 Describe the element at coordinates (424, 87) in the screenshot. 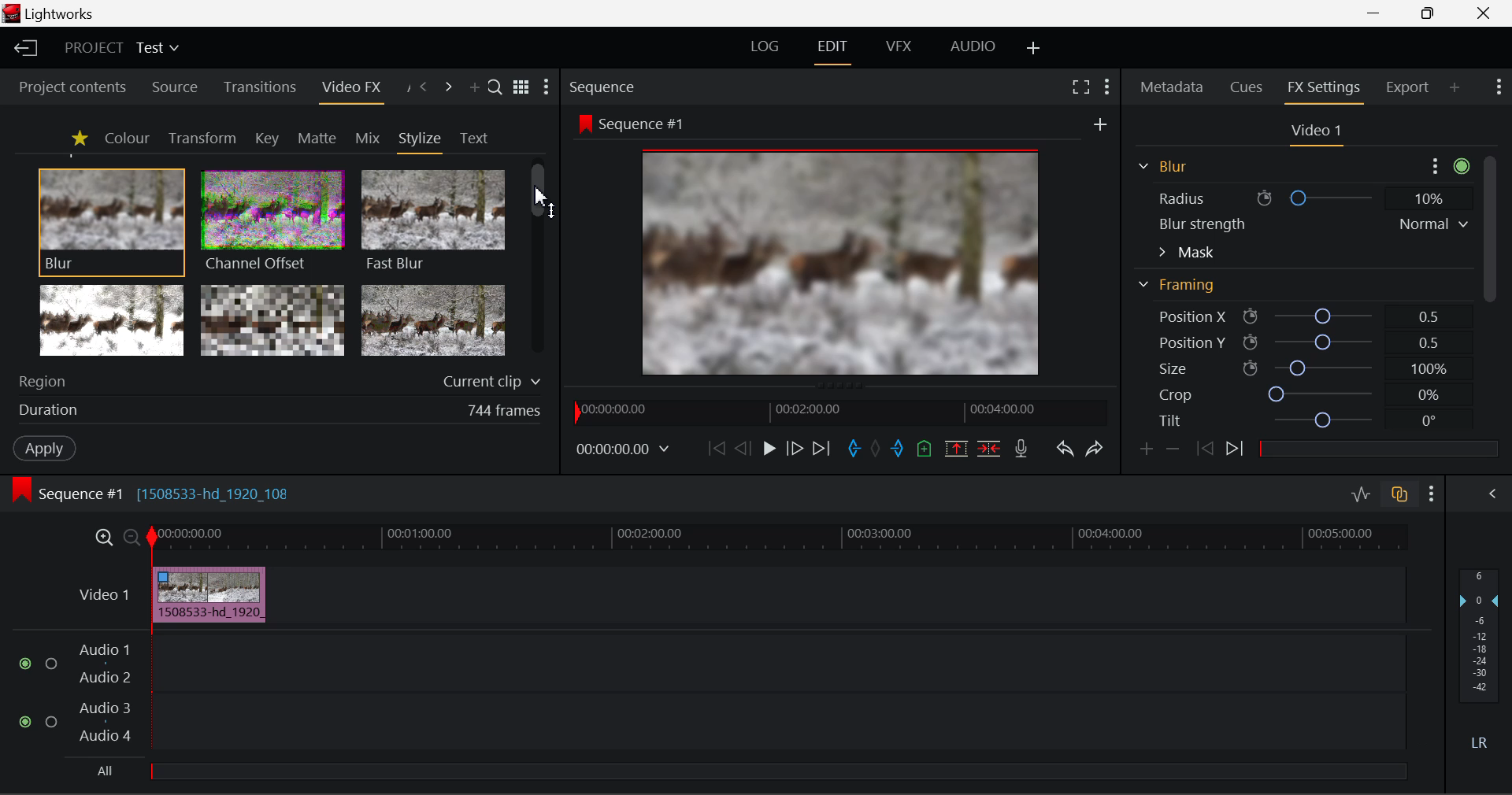

I see `Previous Panel` at that location.